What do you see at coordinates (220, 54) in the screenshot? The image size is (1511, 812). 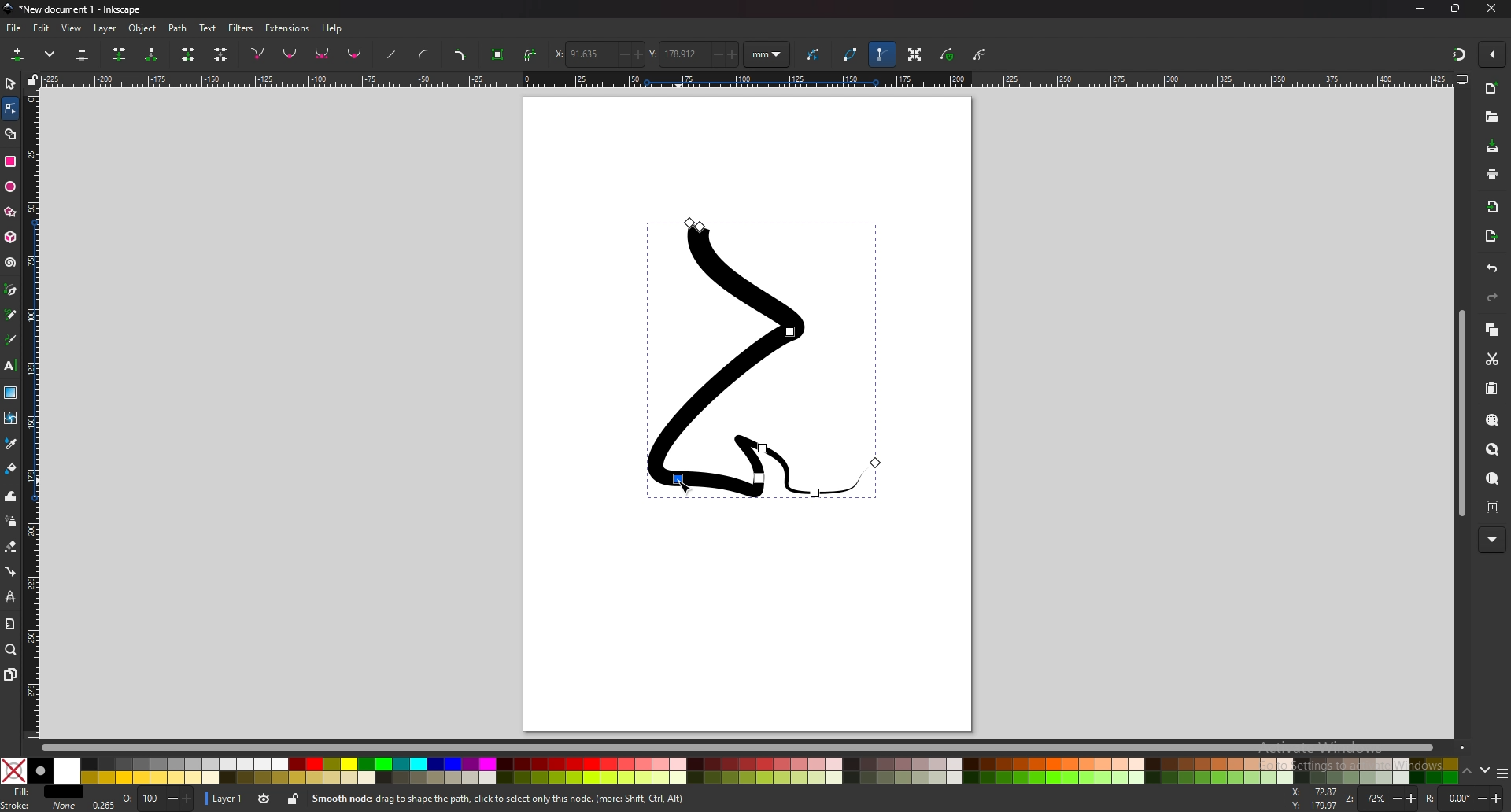 I see `delete segment between two non endpoint nodes` at bounding box center [220, 54].